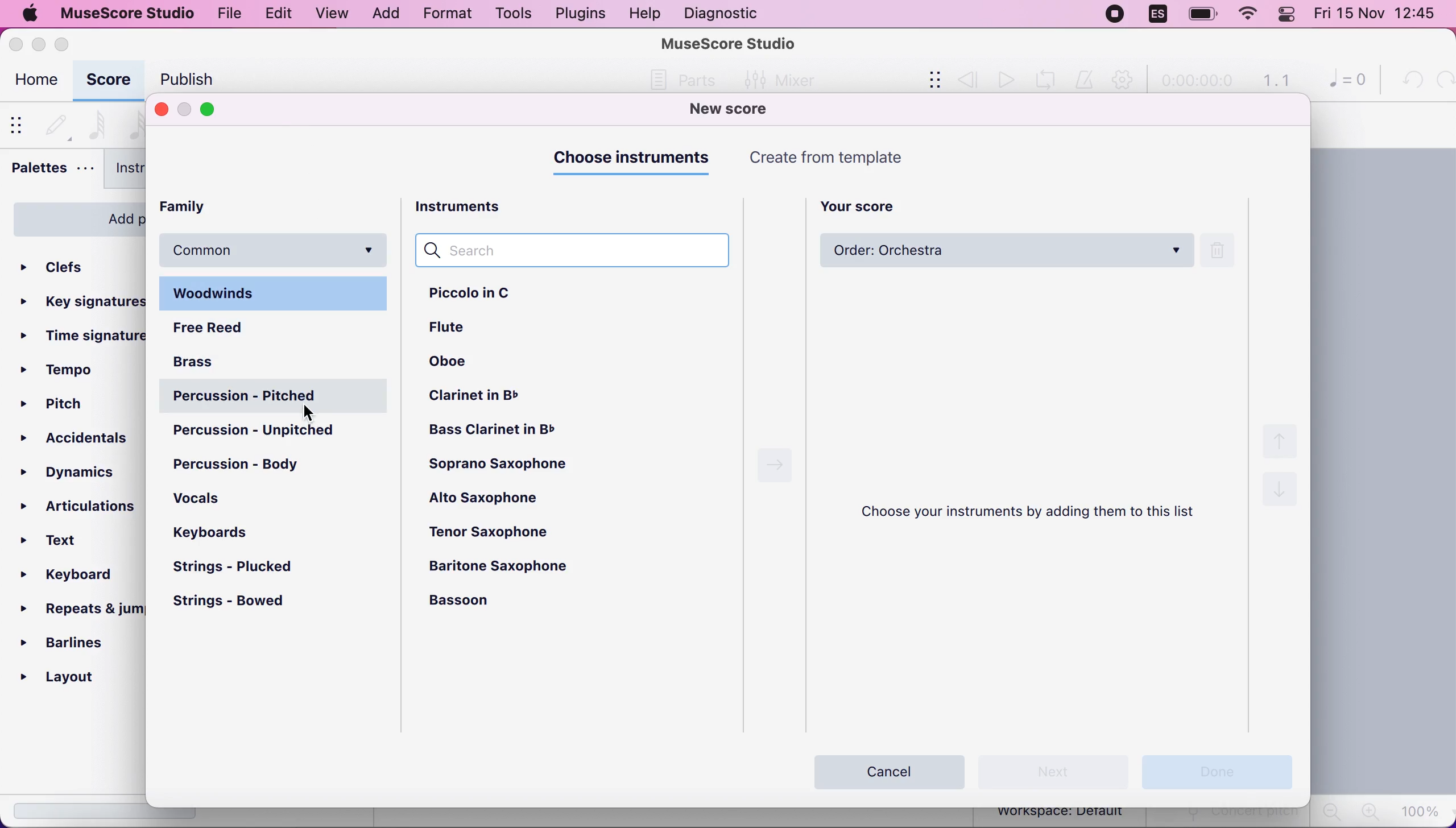 This screenshot has width=1456, height=828. What do you see at coordinates (84, 299) in the screenshot?
I see `key signatures` at bounding box center [84, 299].